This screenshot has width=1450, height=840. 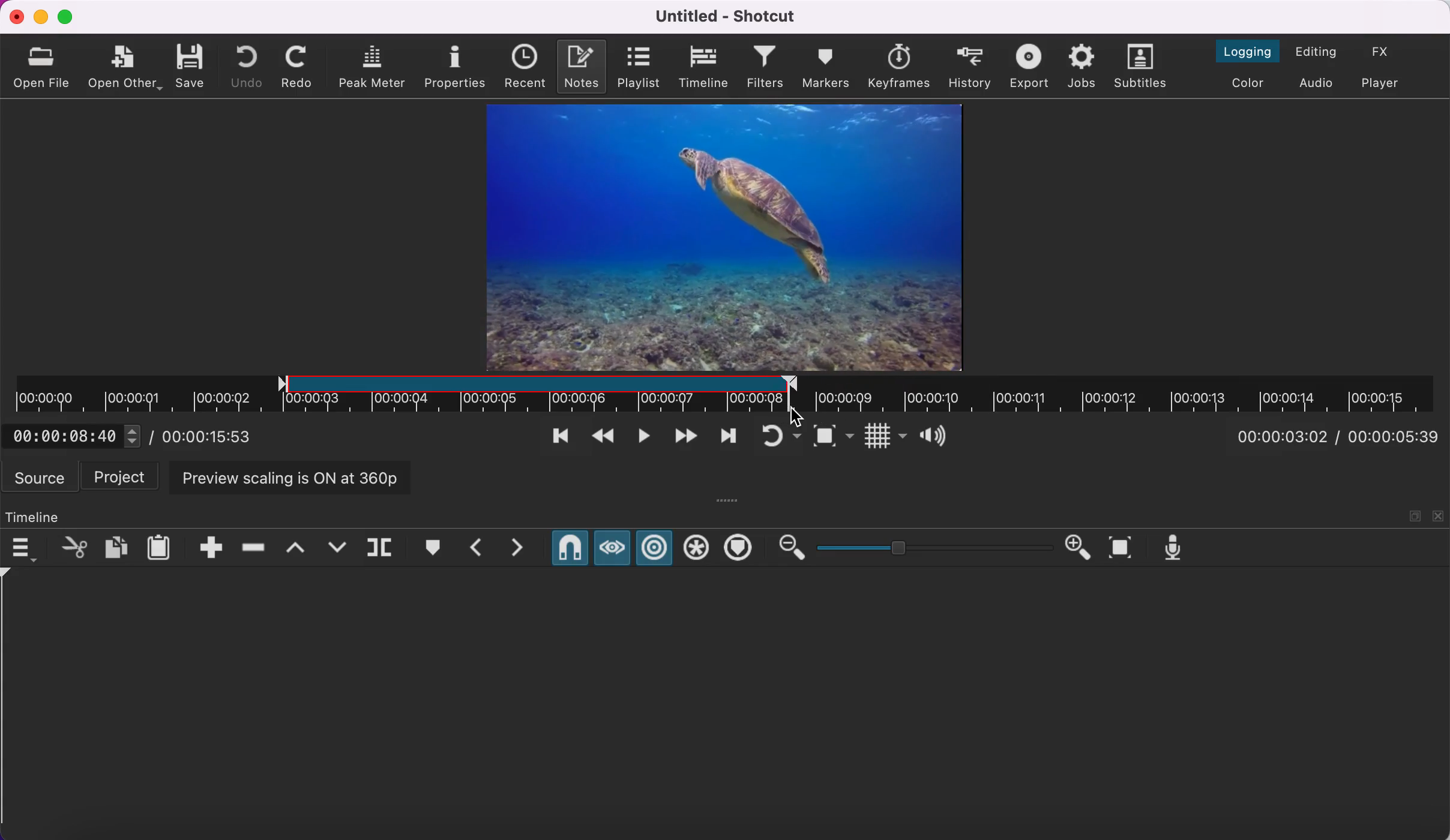 What do you see at coordinates (1145, 67) in the screenshot?
I see `subtitles` at bounding box center [1145, 67].